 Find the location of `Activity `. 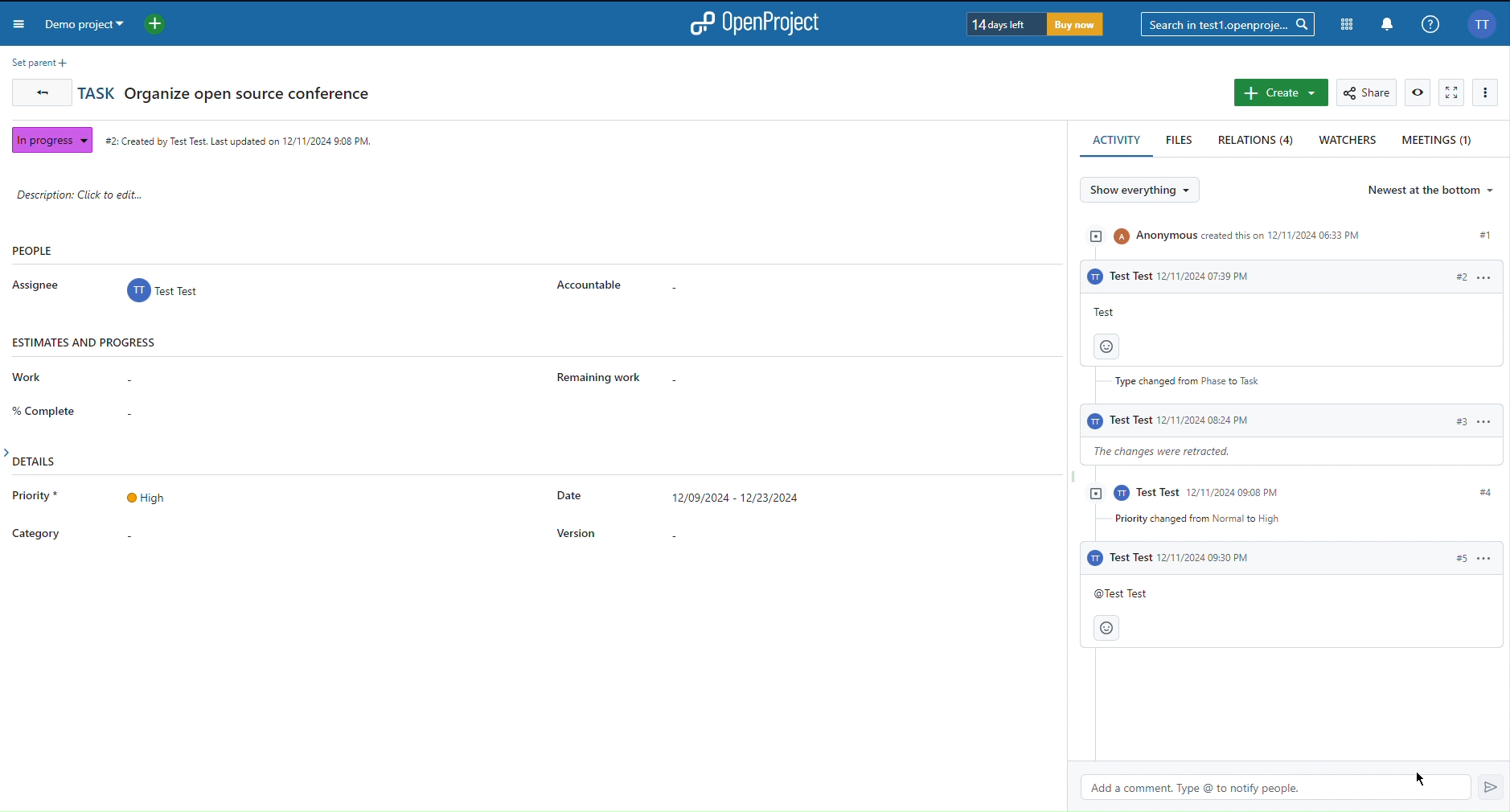

Activity  is located at coordinates (1286, 374).